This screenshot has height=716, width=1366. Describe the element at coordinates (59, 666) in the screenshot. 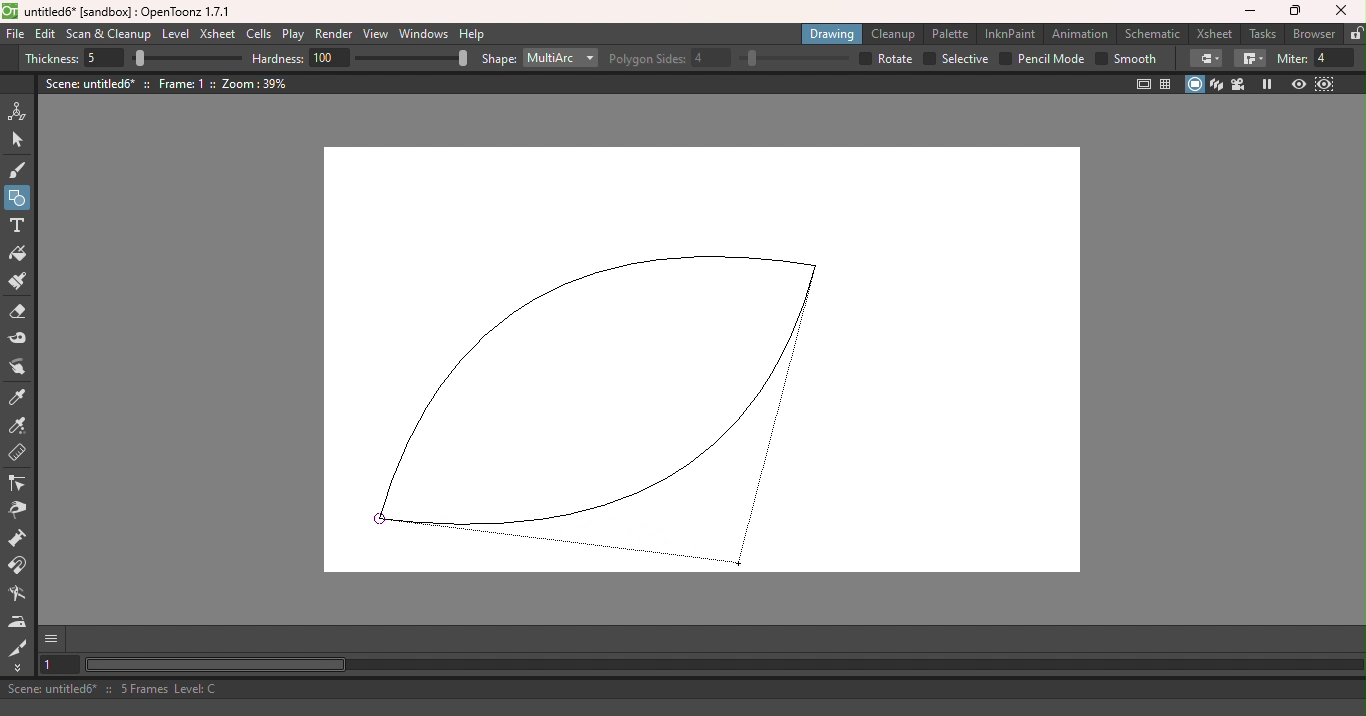

I see `Set the current frame` at that location.